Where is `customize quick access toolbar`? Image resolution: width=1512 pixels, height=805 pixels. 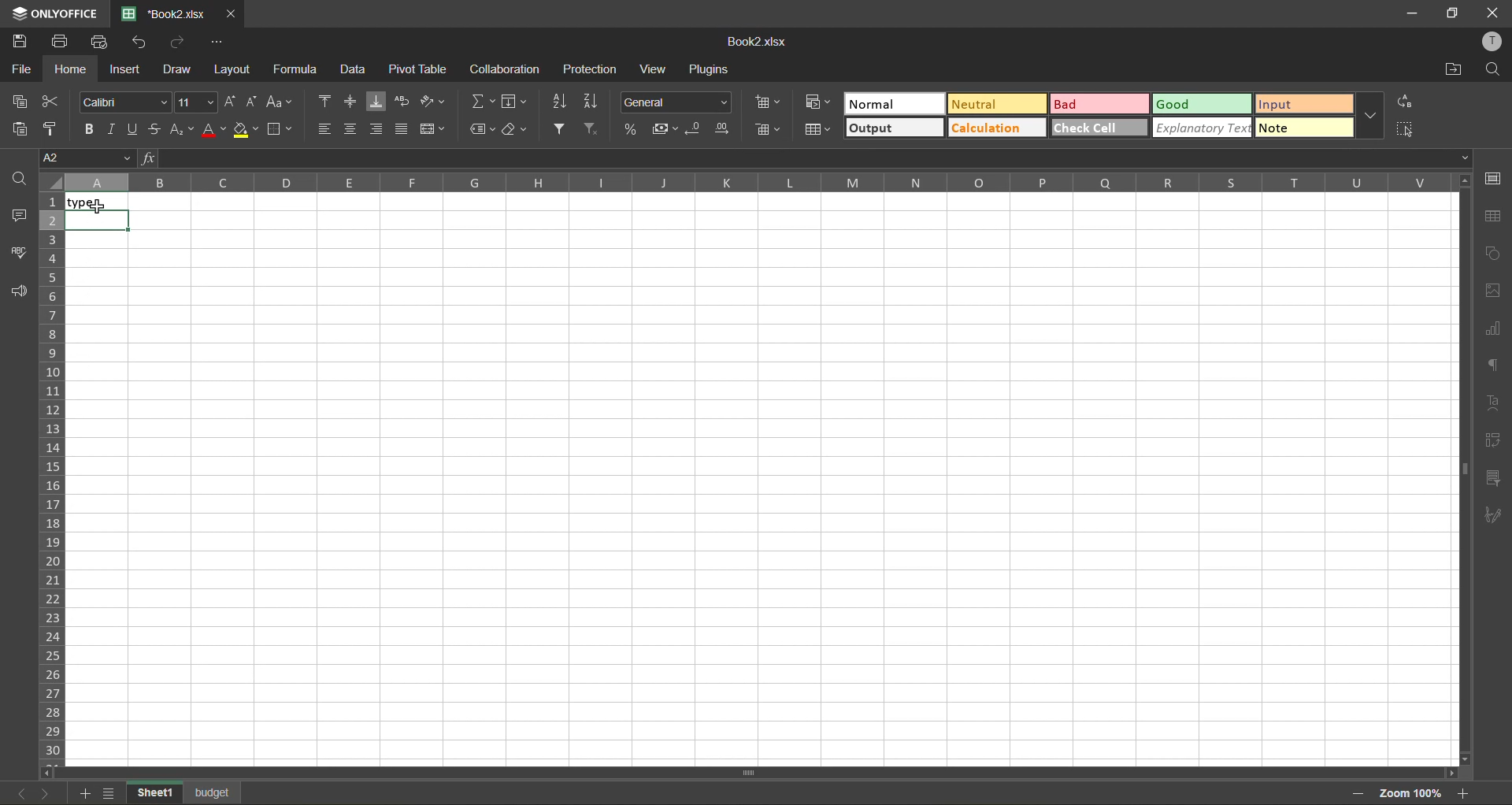
customize quick access toolbar is located at coordinates (221, 43).